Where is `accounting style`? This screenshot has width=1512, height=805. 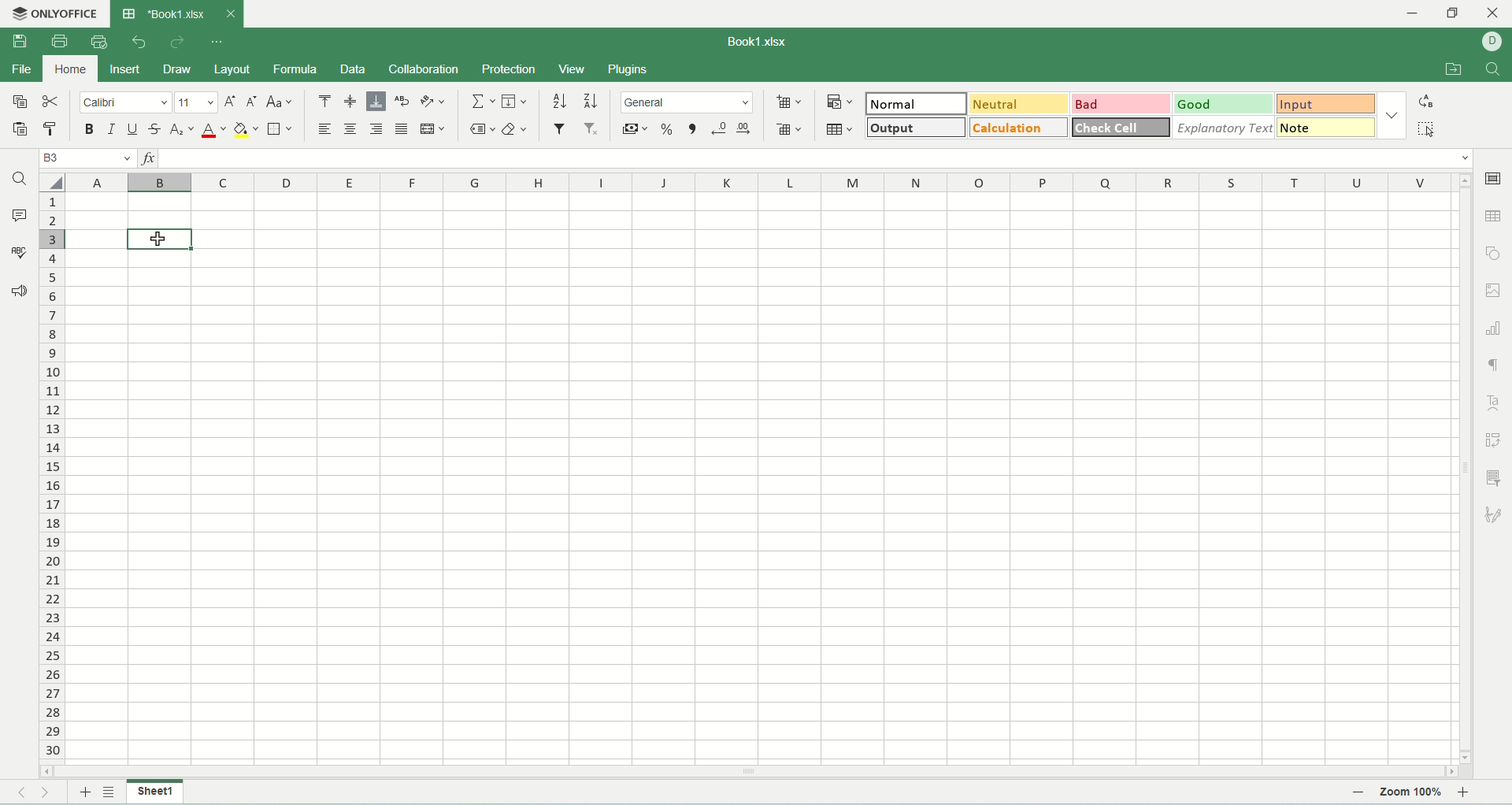 accounting style is located at coordinates (636, 129).